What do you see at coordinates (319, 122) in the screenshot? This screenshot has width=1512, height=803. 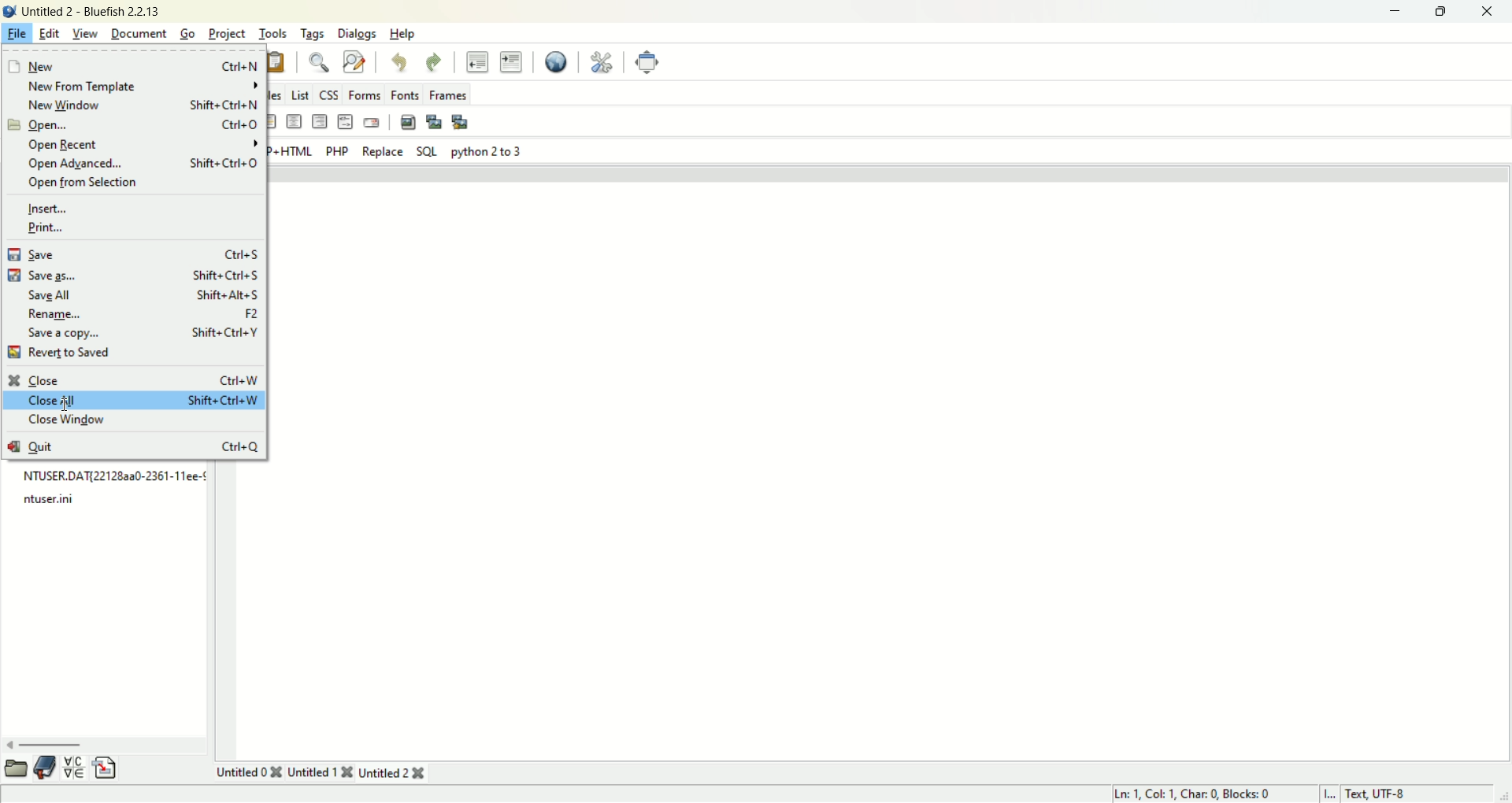 I see `right justify` at bounding box center [319, 122].